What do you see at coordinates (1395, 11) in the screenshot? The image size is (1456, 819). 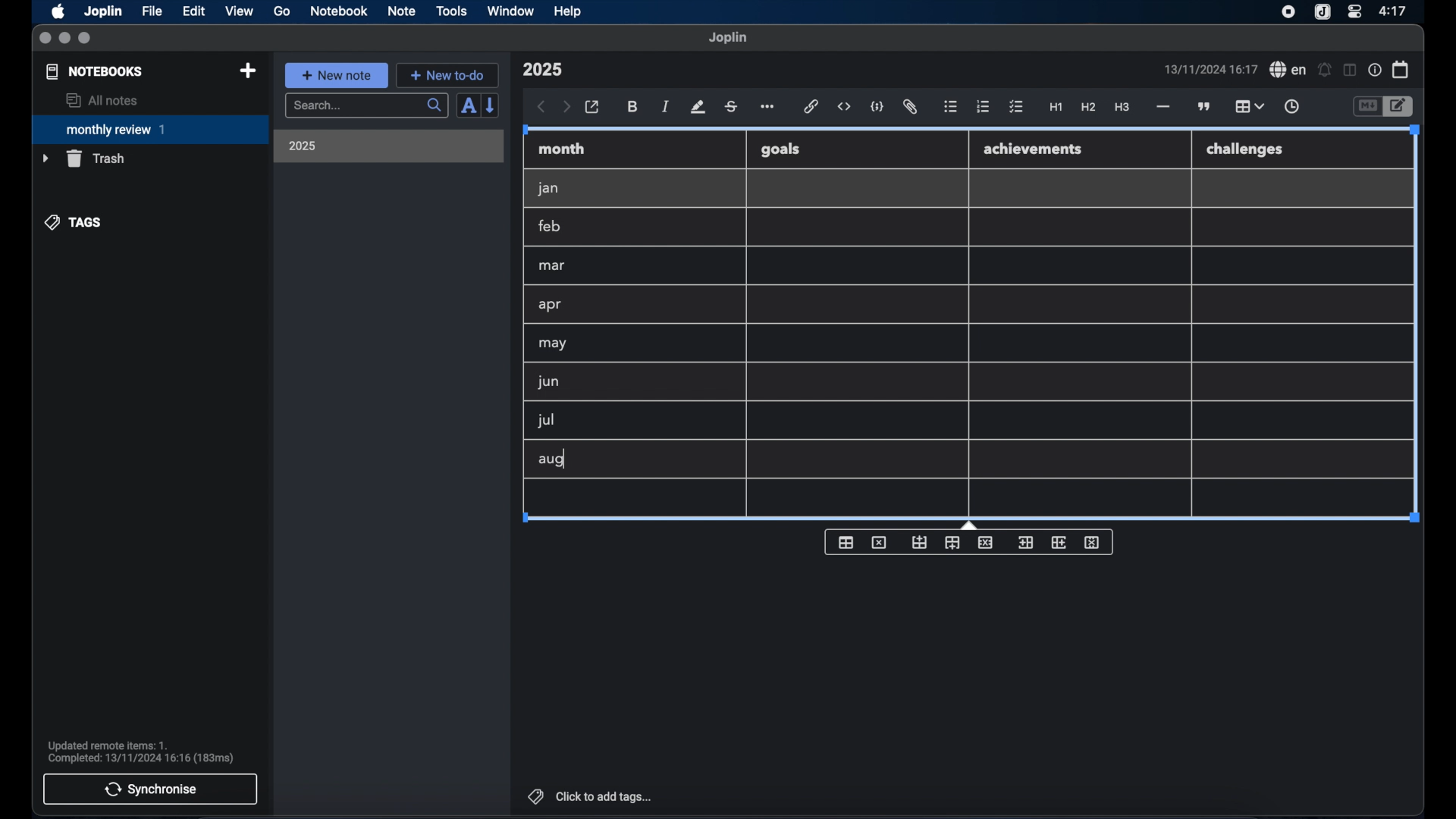 I see `time` at bounding box center [1395, 11].